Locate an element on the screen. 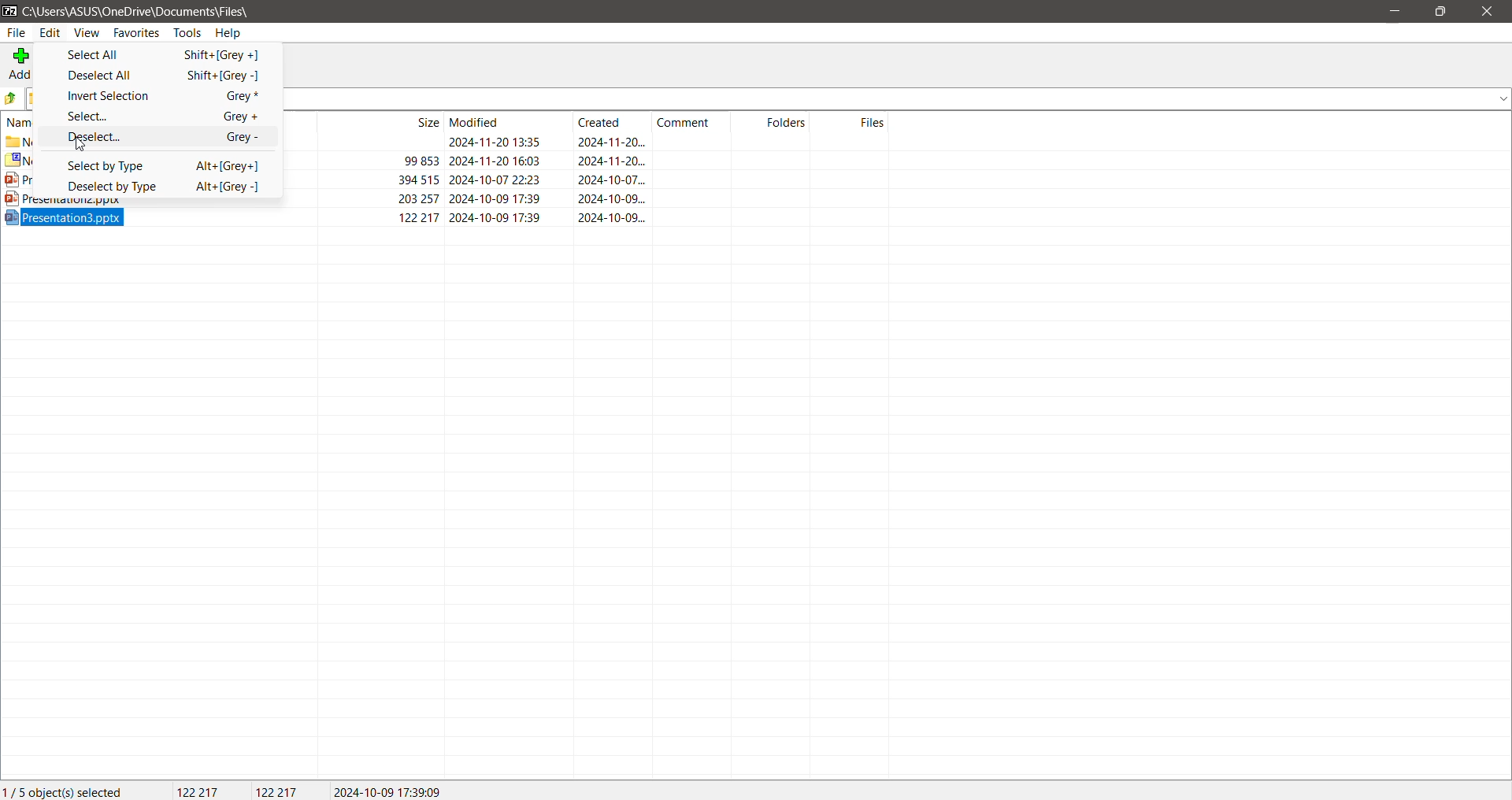 Image resolution: width=1512 pixels, height=800 pixels. Files is located at coordinates (853, 121).